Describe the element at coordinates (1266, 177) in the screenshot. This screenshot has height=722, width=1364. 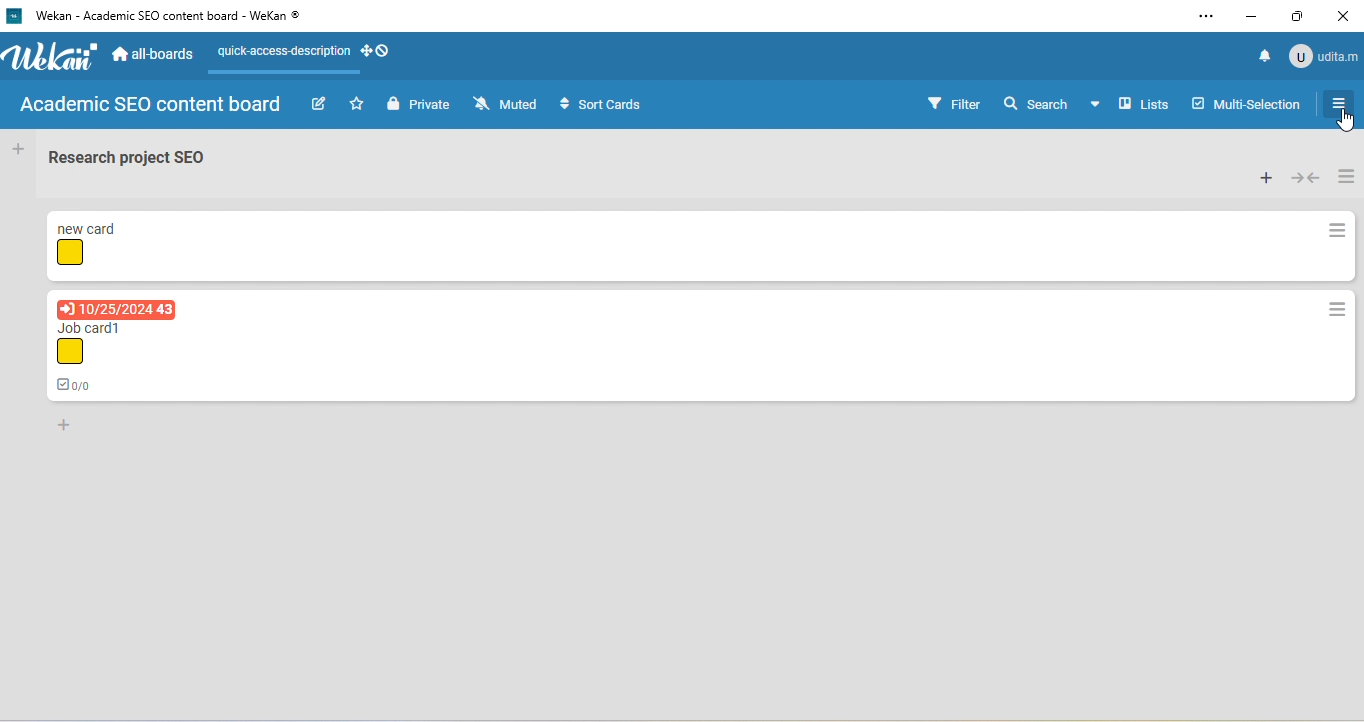
I see `add card to top` at that location.